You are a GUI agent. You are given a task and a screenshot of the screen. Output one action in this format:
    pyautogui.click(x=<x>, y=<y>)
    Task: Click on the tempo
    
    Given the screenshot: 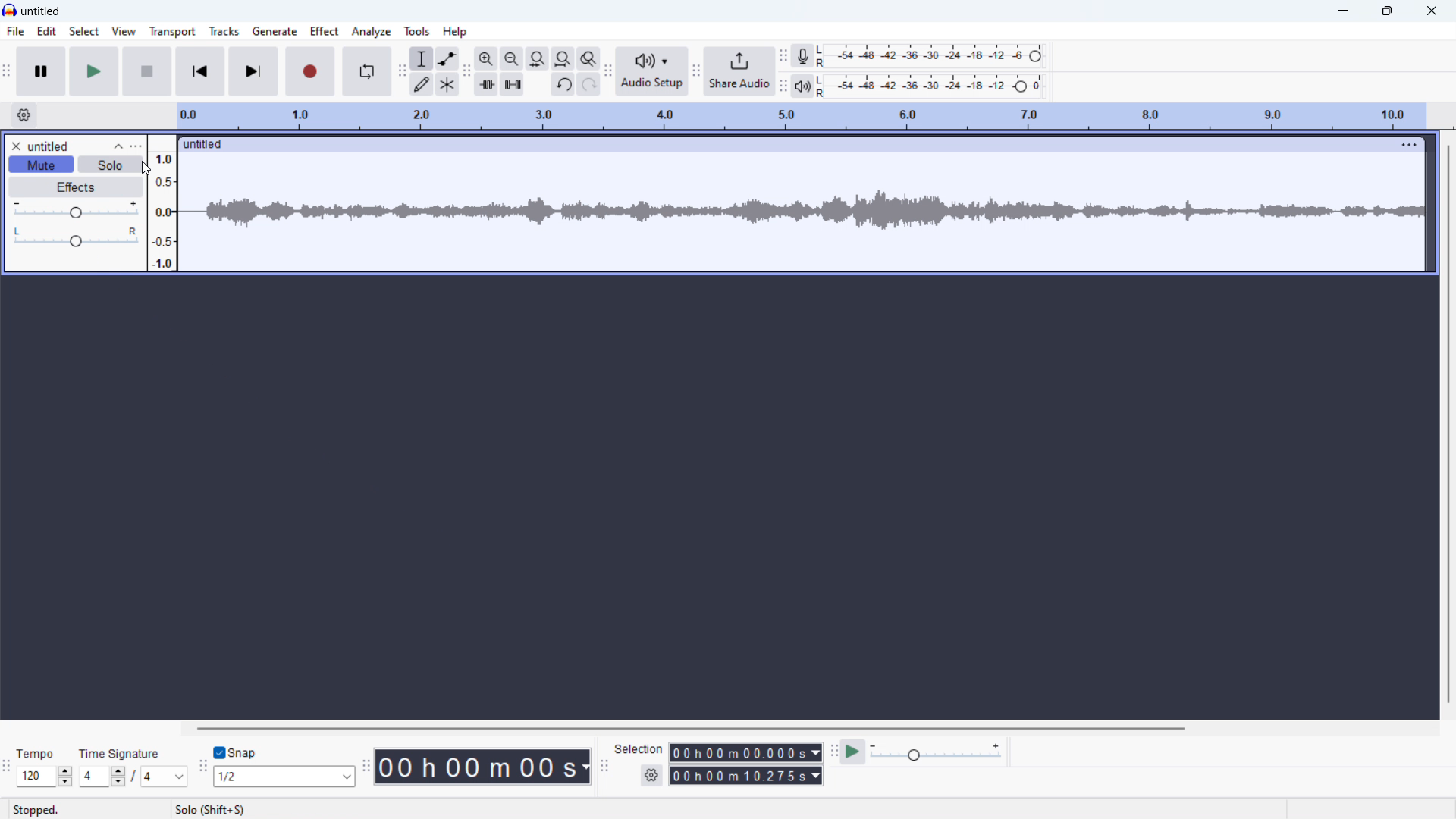 What is the action you would take?
    pyautogui.click(x=36, y=754)
    